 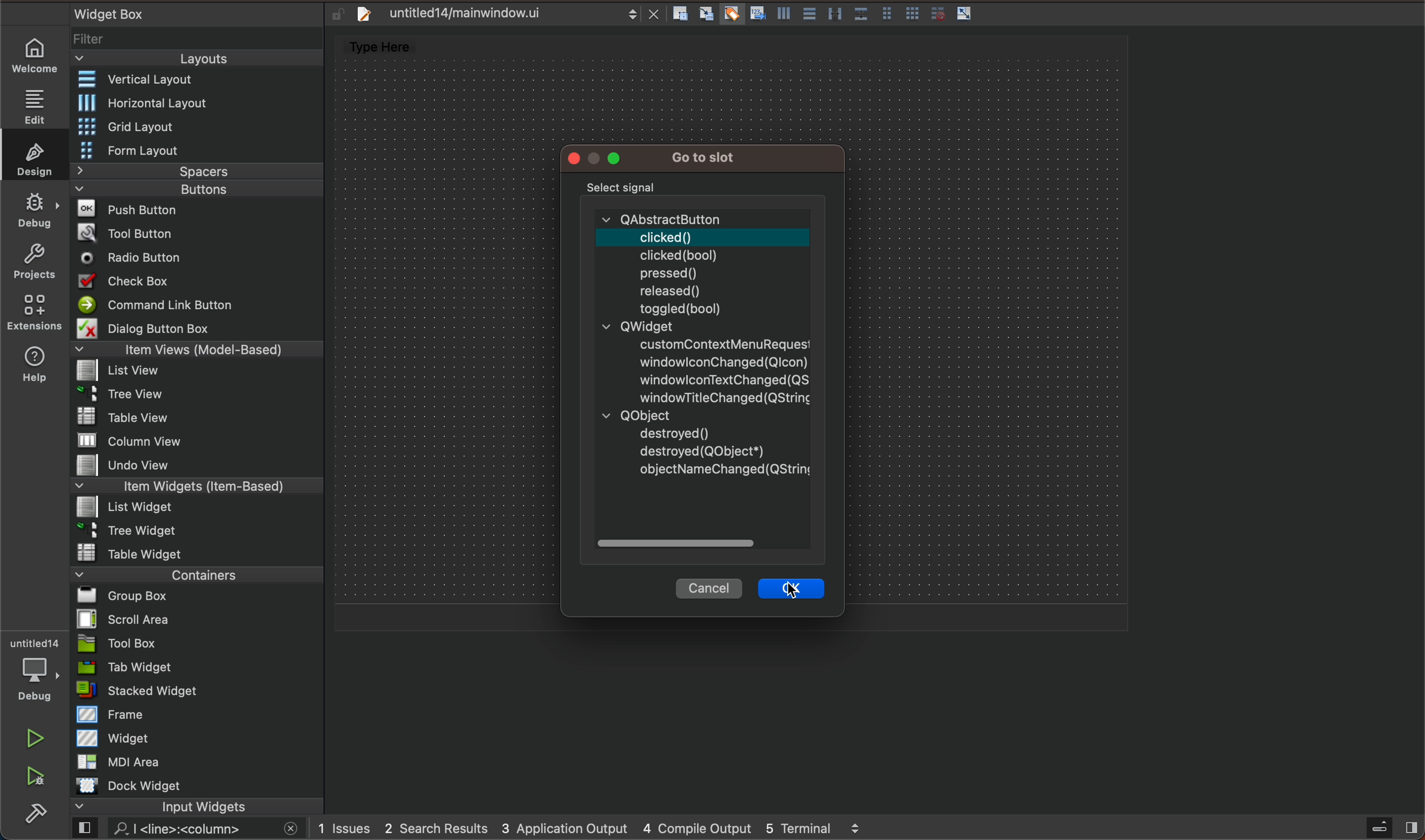 What do you see at coordinates (32, 156) in the screenshot?
I see `DESIGN` at bounding box center [32, 156].